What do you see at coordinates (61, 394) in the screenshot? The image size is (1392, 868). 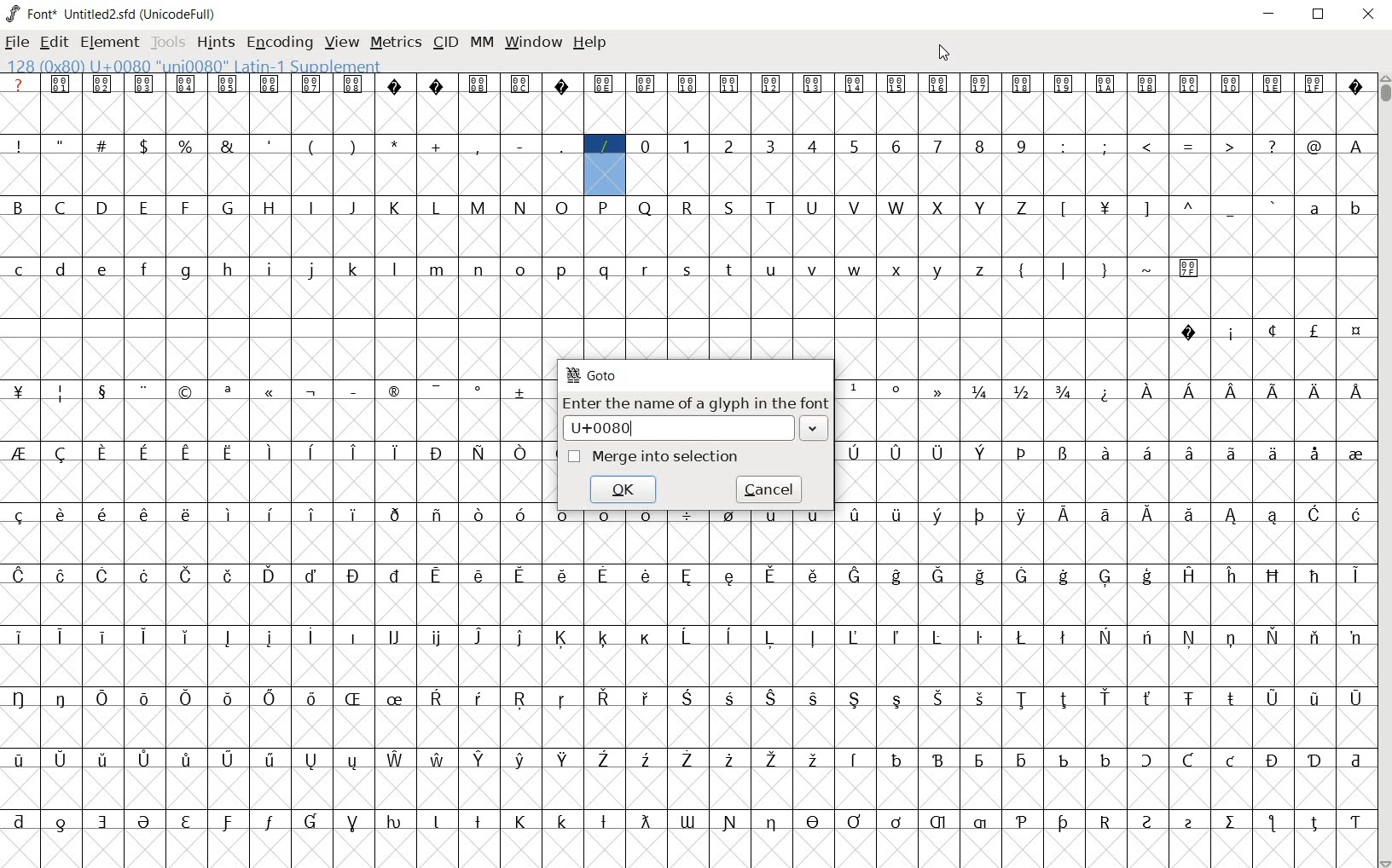 I see `glyph` at bounding box center [61, 394].